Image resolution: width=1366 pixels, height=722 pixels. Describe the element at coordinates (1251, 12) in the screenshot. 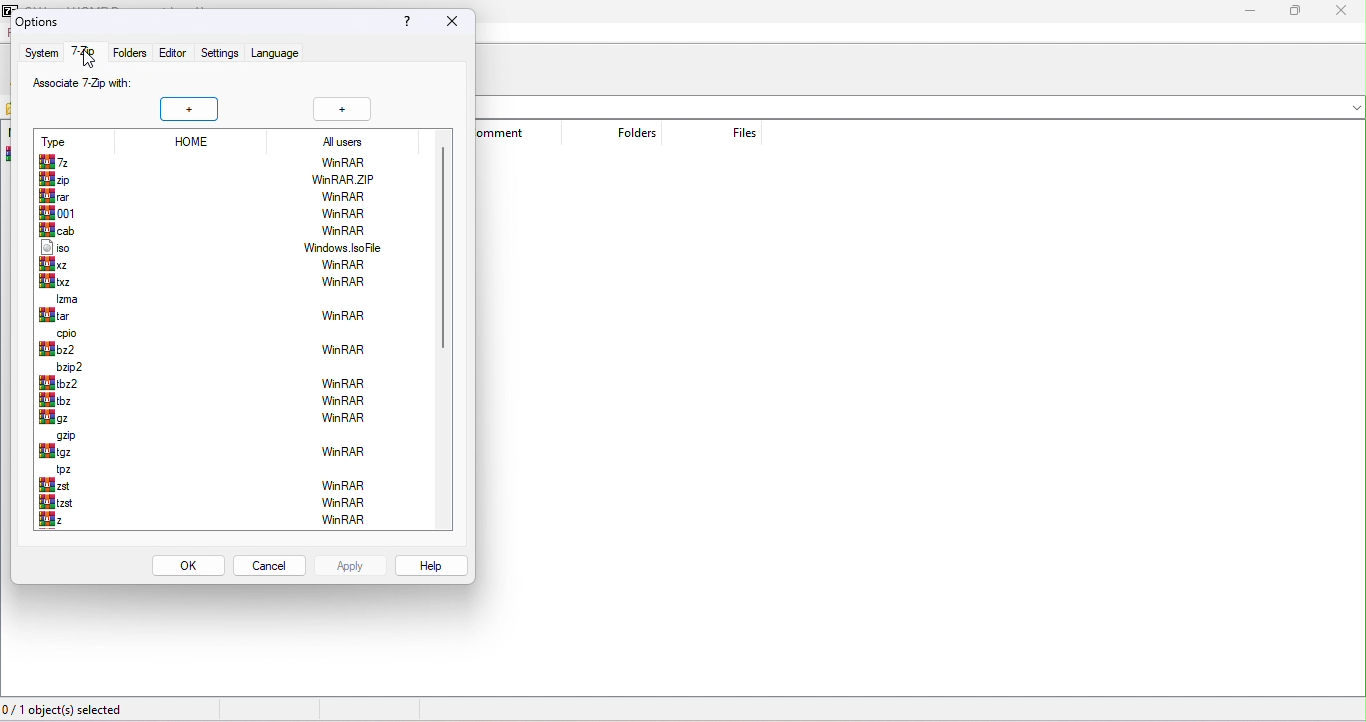

I see `minimize` at that location.